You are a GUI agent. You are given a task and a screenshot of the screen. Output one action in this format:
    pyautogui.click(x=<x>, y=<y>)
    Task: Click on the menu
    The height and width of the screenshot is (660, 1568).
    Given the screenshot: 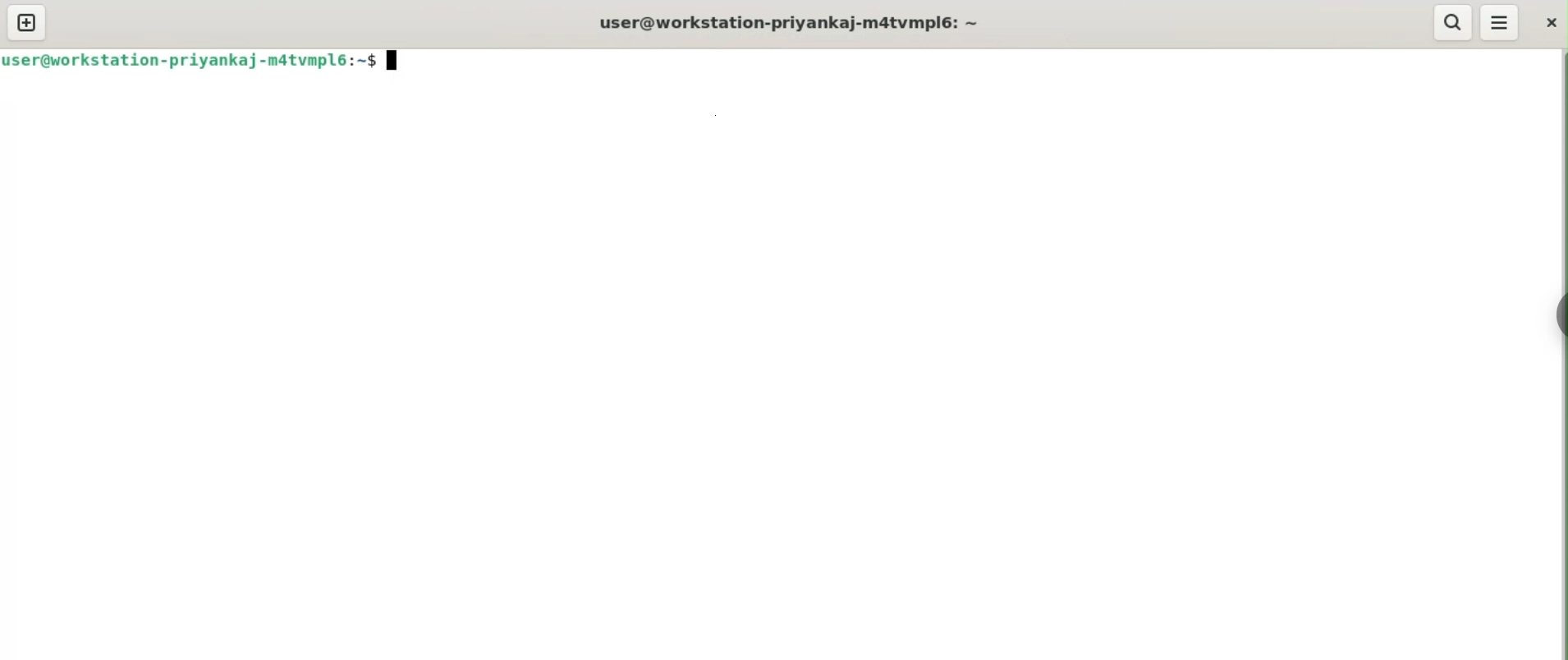 What is the action you would take?
    pyautogui.click(x=1498, y=25)
    